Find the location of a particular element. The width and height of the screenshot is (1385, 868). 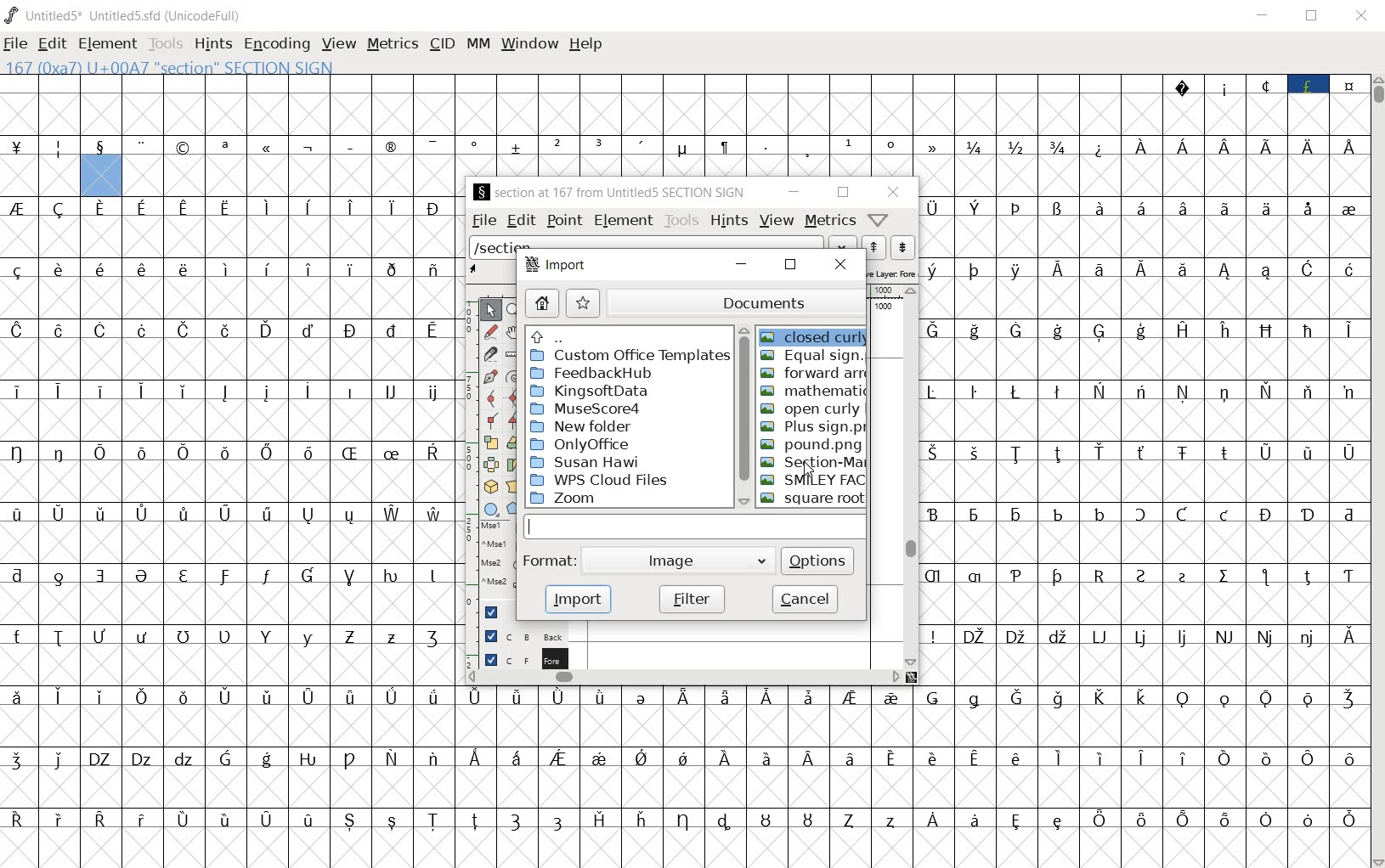

element is located at coordinates (623, 222).